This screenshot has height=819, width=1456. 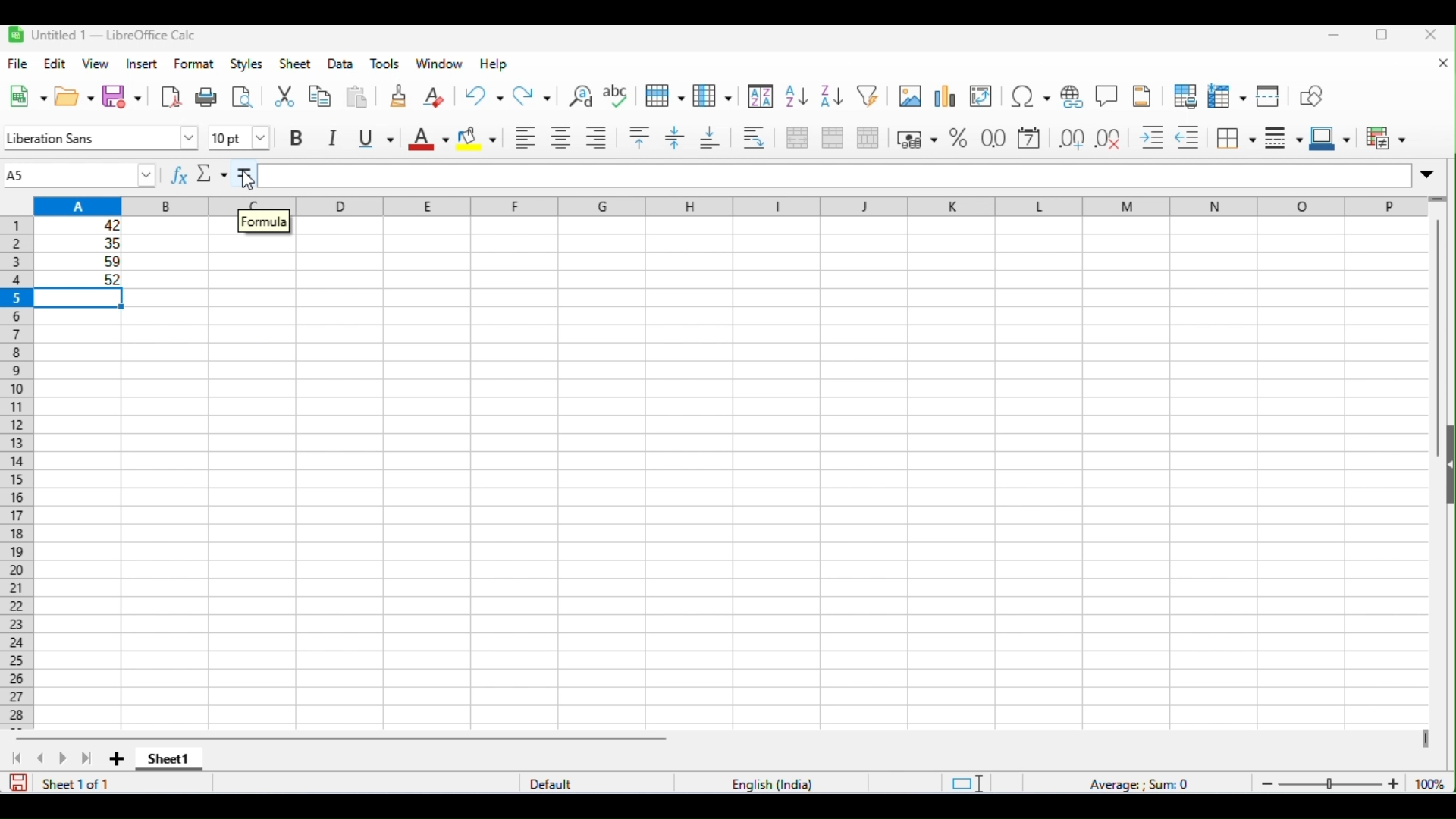 What do you see at coordinates (1071, 138) in the screenshot?
I see `add decimal place` at bounding box center [1071, 138].